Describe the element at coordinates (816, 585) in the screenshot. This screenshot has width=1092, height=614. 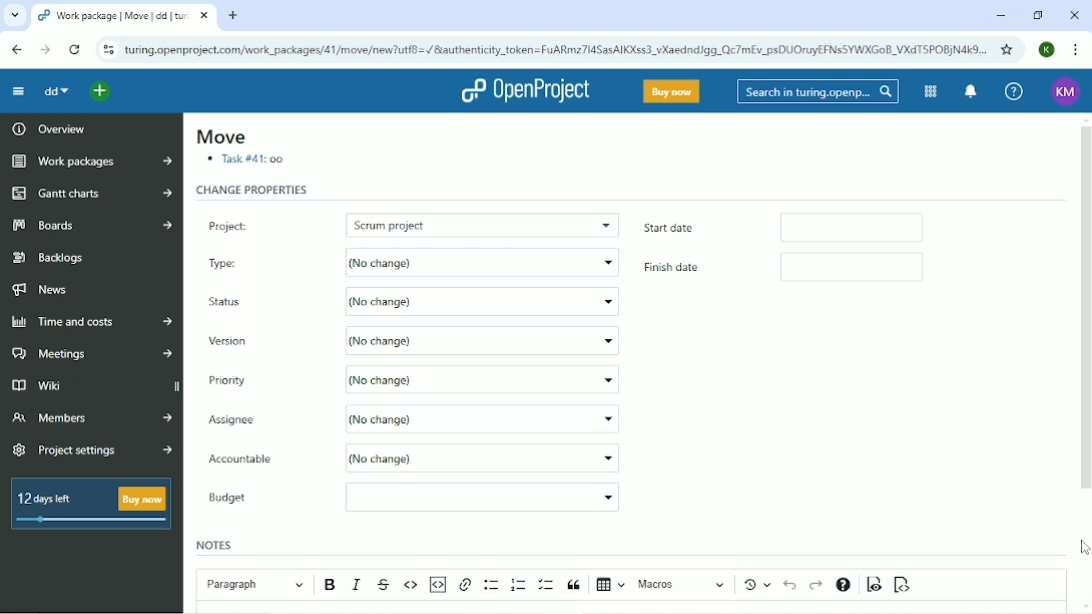
I see `Redo` at that location.